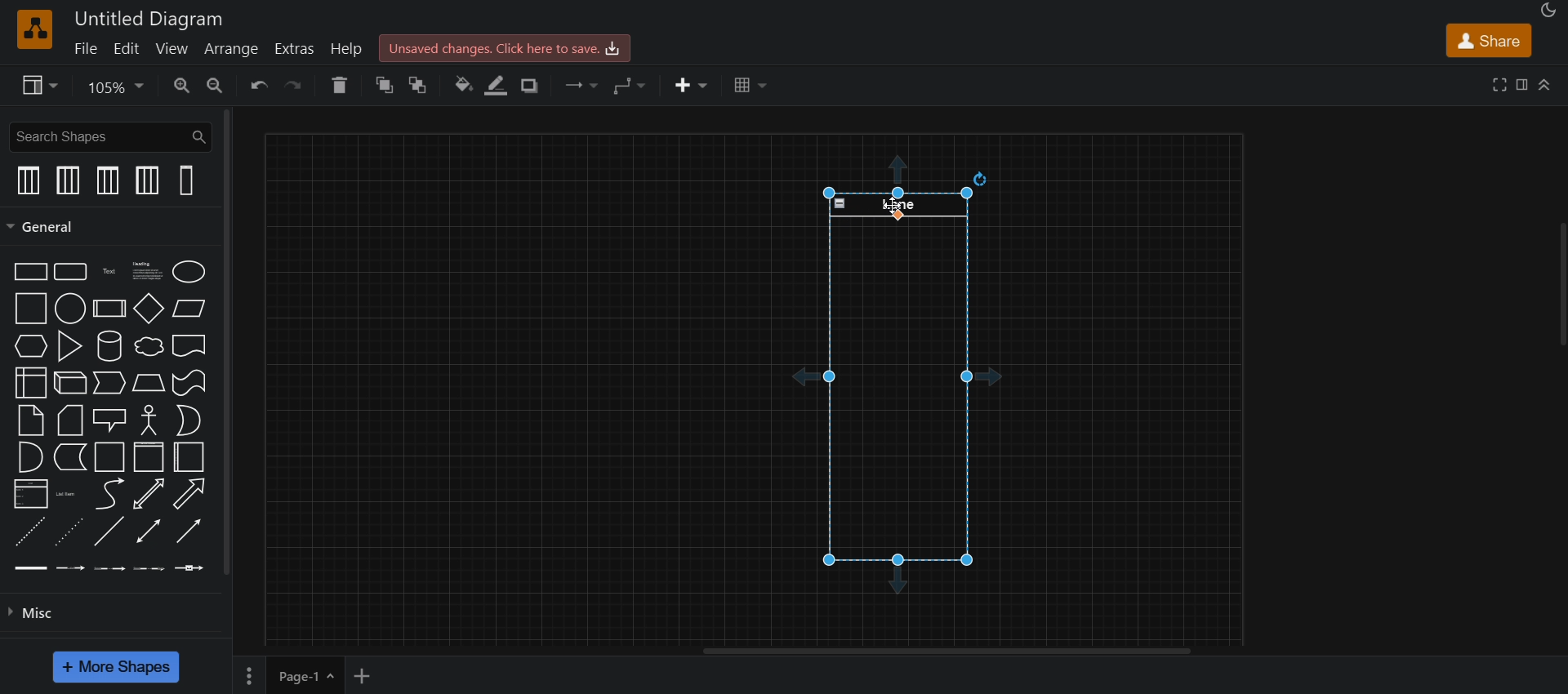 The image size is (1568, 694). What do you see at coordinates (1501, 84) in the screenshot?
I see `fullscreen` at bounding box center [1501, 84].